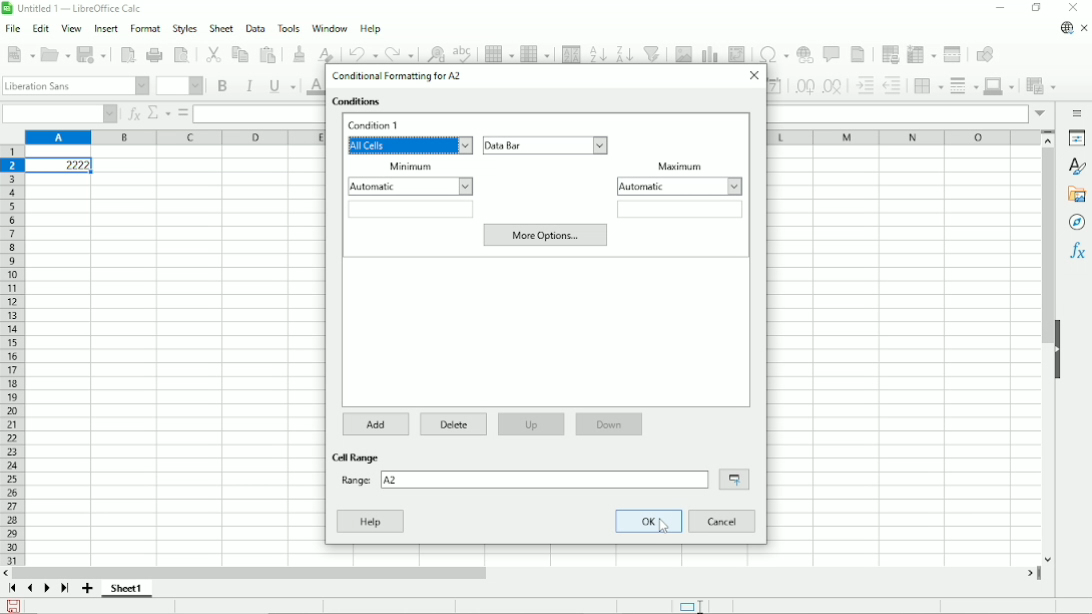  Describe the element at coordinates (804, 86) in the screenshot. I see `Add decimal place` at that location.